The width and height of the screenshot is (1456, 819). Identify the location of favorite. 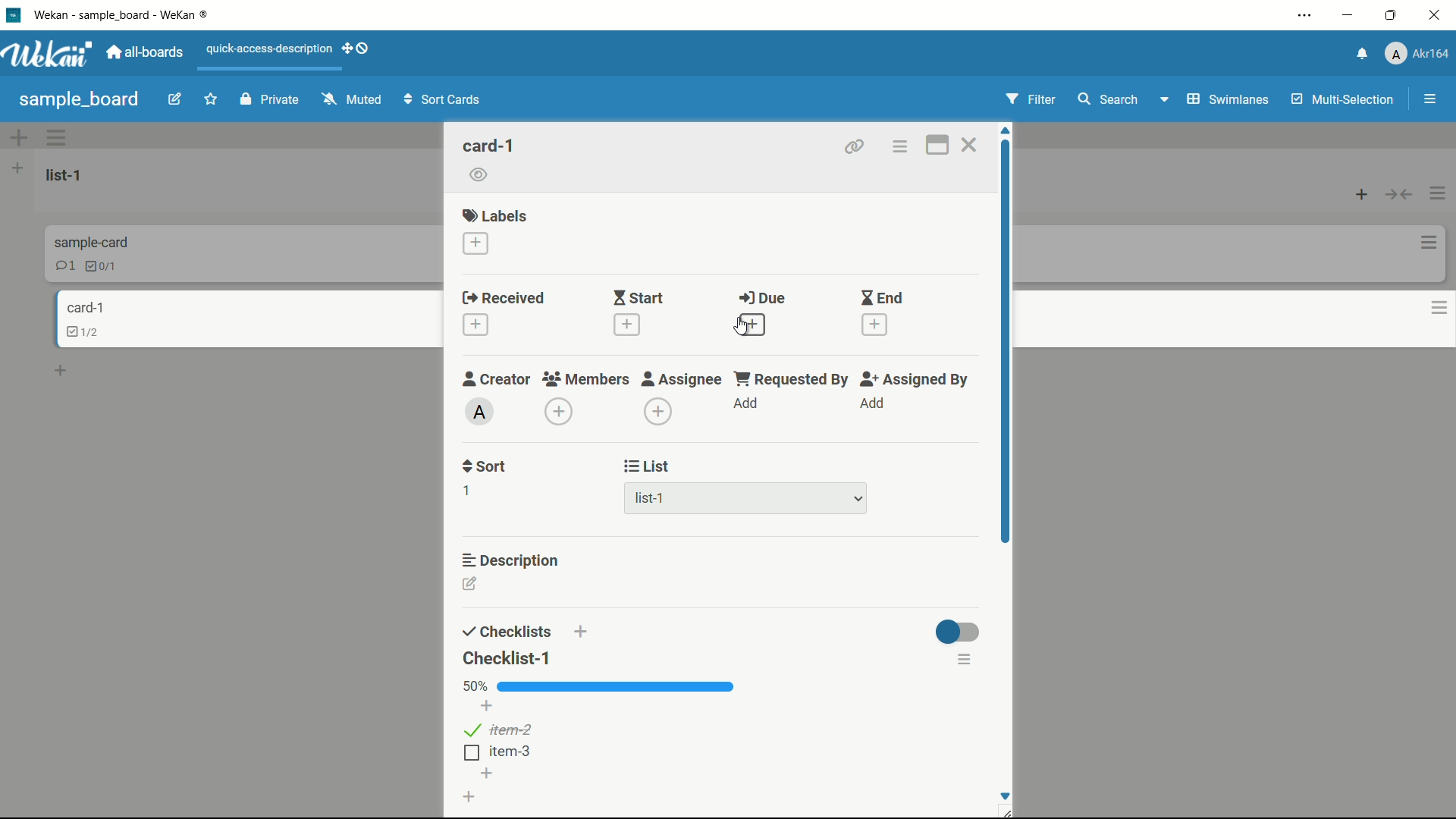
(209, 101).